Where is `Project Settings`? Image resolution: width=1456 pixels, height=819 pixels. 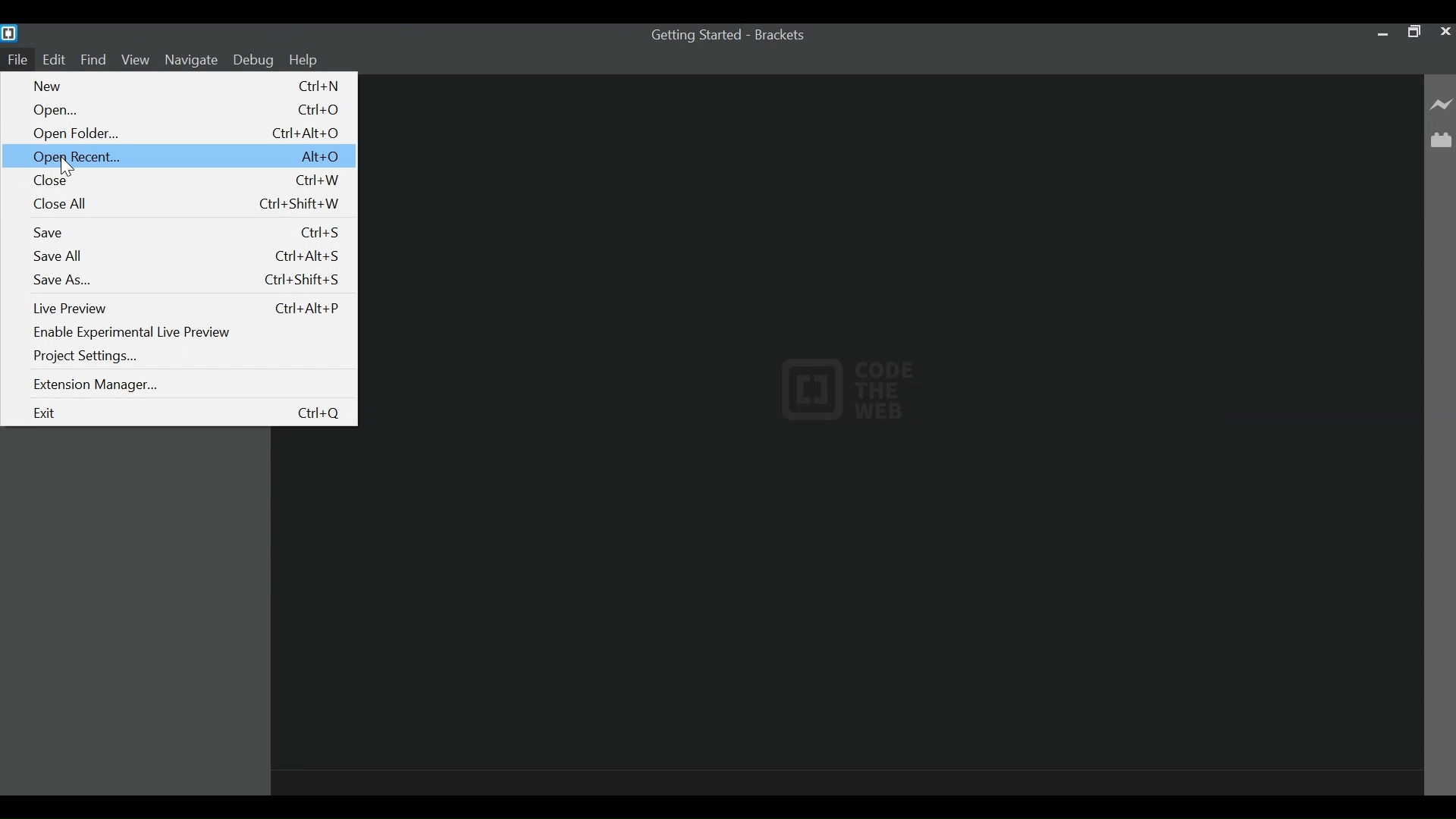
Project Settings is located at coordinates (89, 356).